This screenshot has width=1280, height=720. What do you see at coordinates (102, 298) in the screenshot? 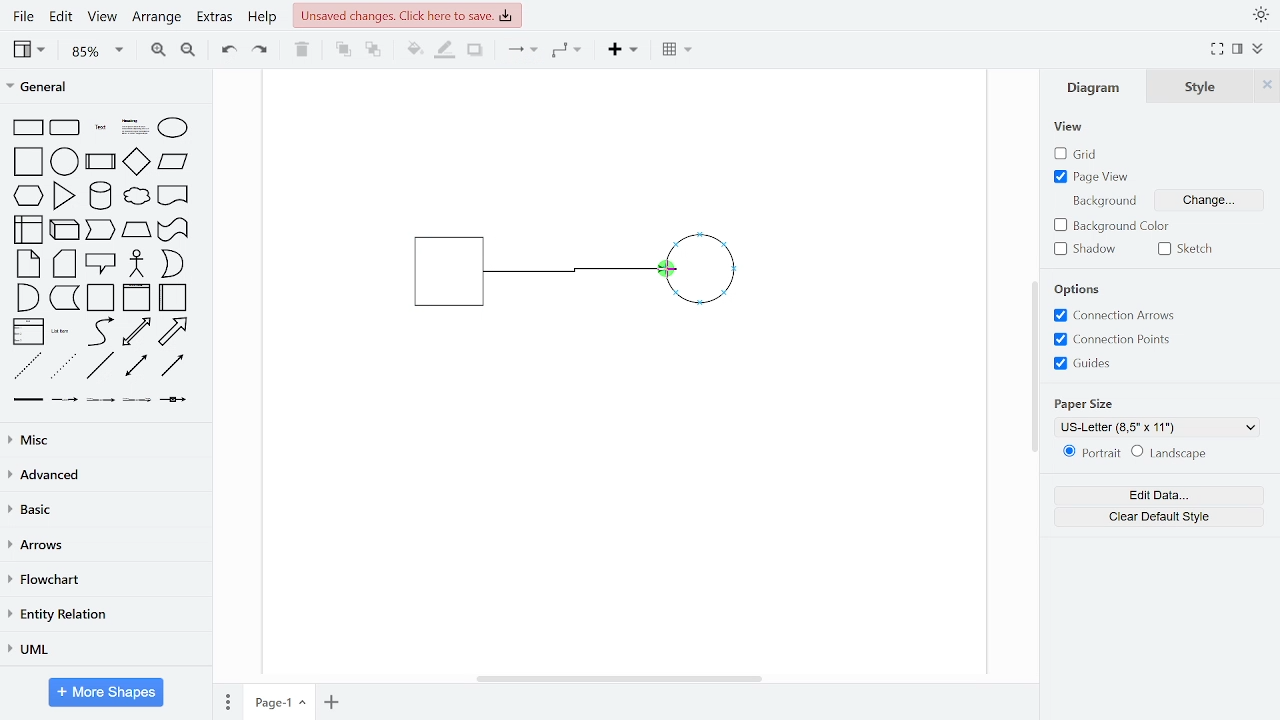
I see `container` at bounding box center [102, 298].